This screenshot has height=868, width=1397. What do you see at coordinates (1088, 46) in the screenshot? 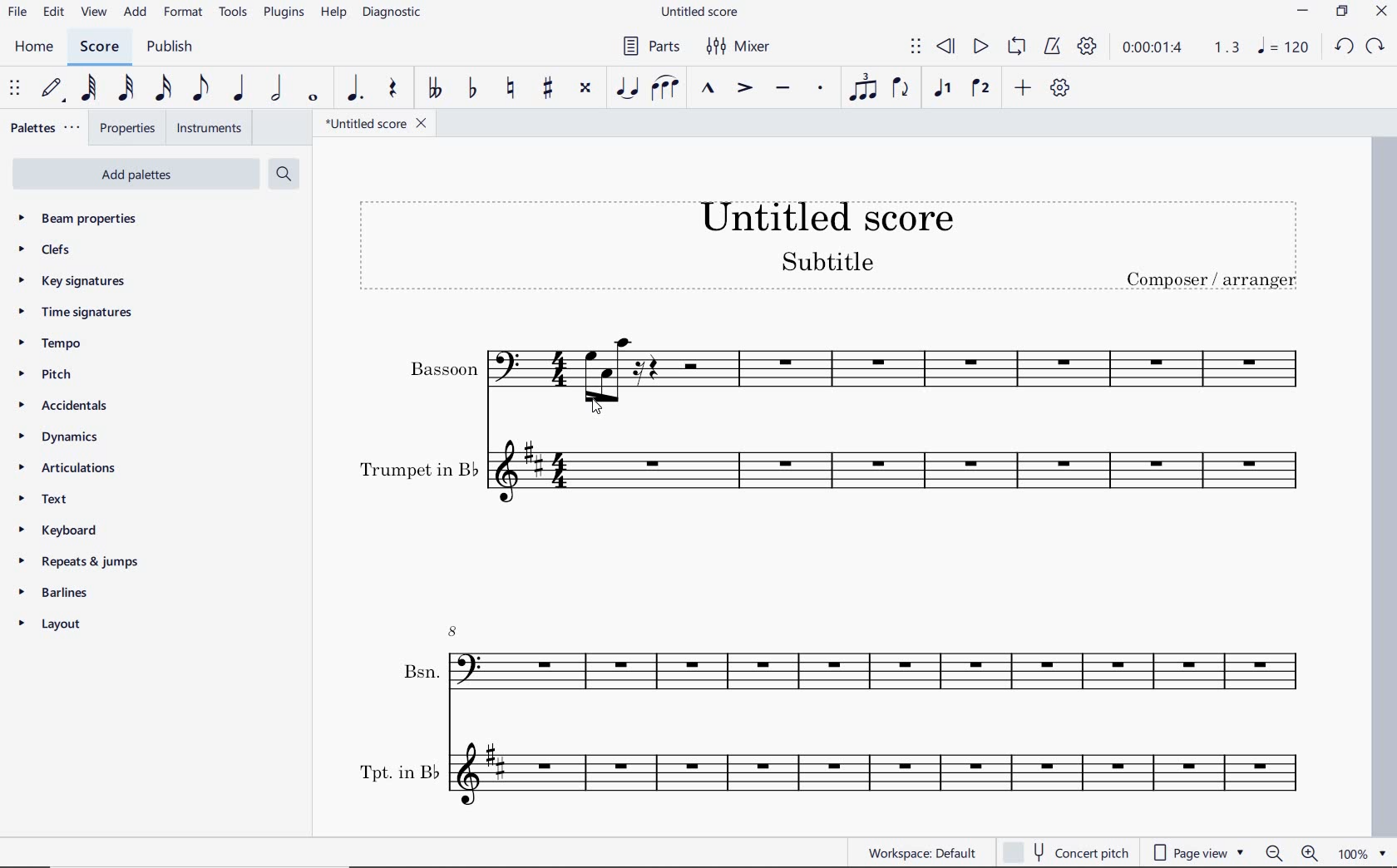
I see `playback settings` at bounding box center [1088, 46].